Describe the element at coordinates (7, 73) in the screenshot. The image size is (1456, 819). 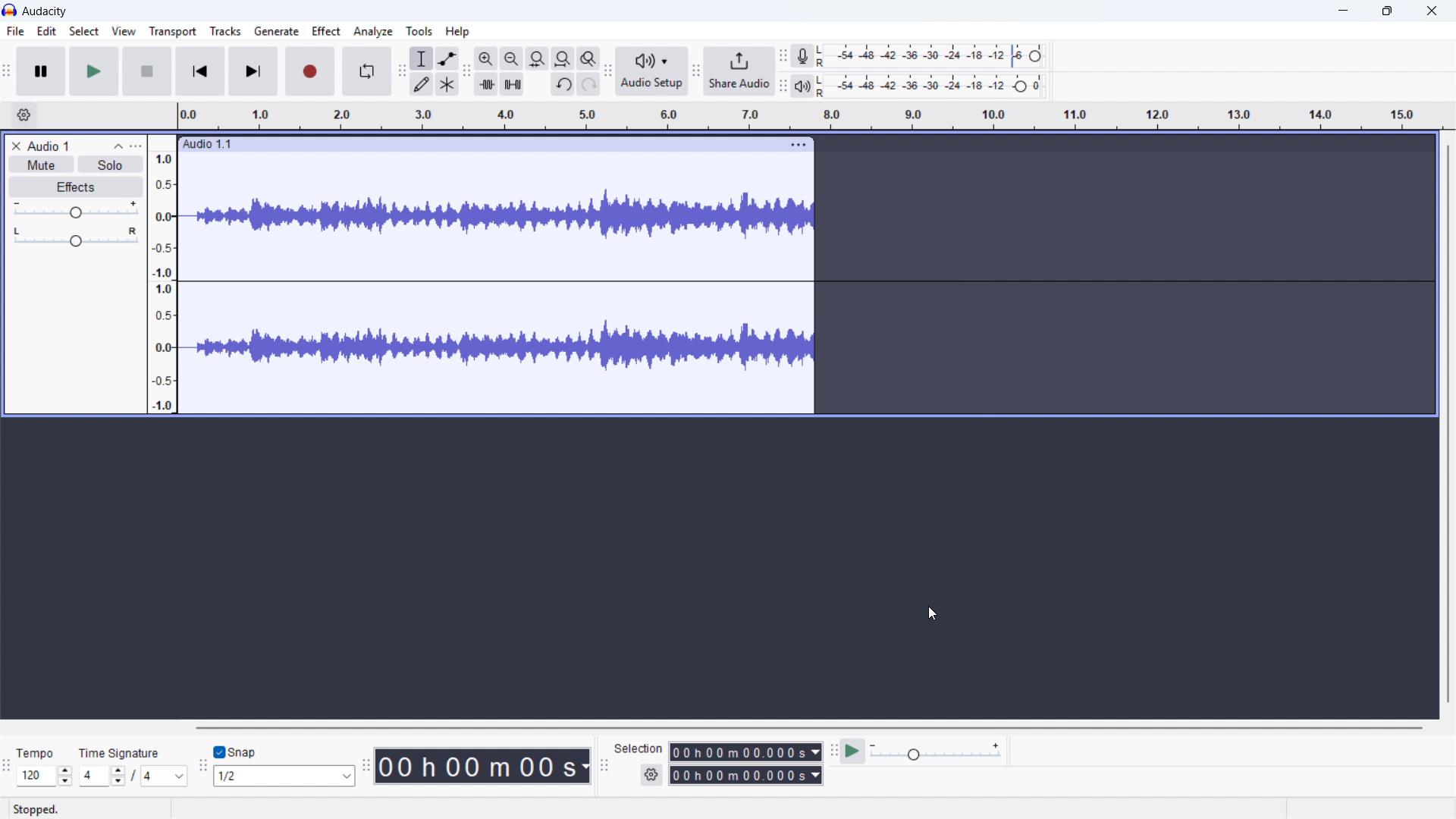
I see `Transport toolbar` at that location.